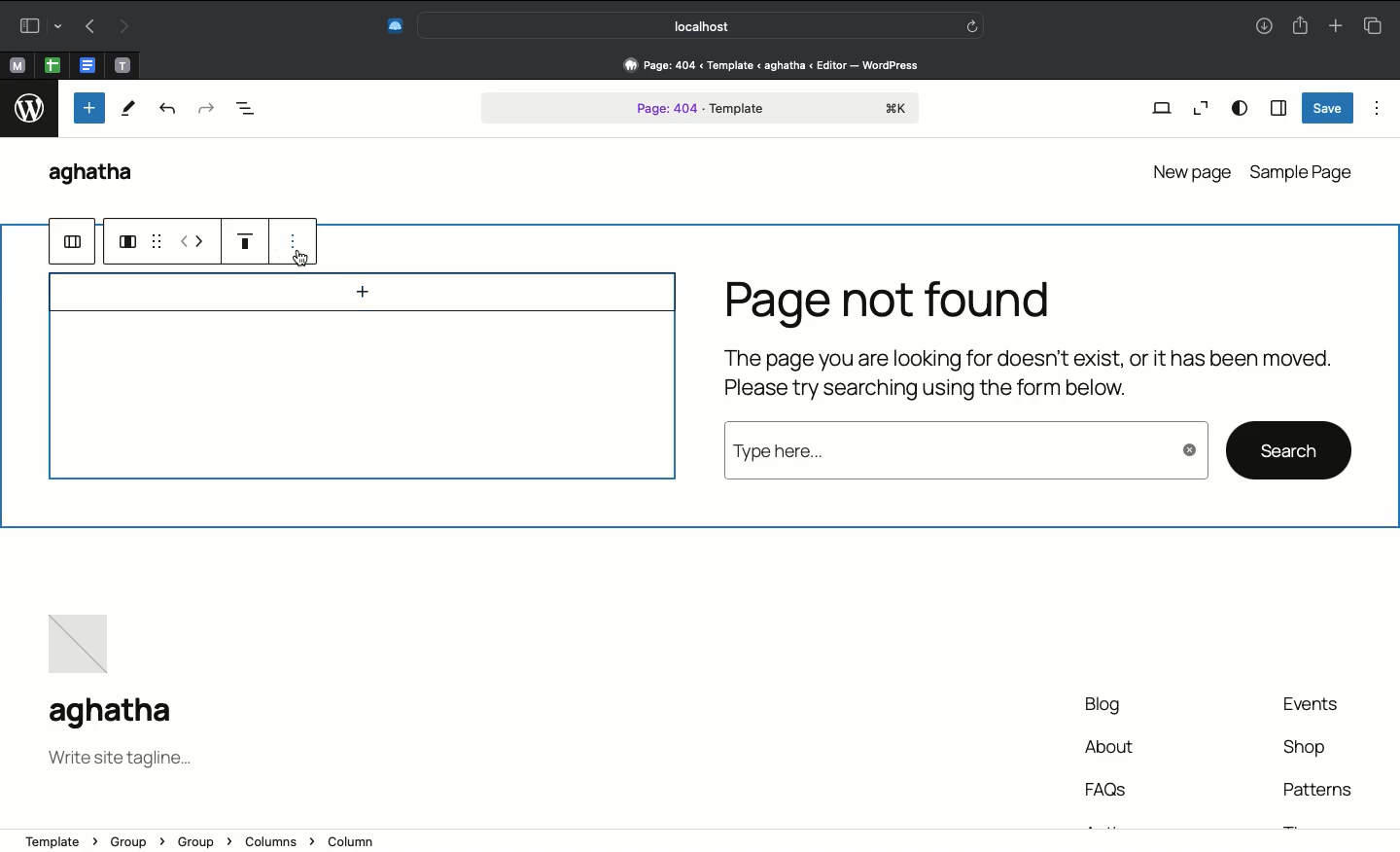 This screenshot has width=1400, height=852. Describe the element at coordinates (114, 710) in the screenshot. I see `Name` at that location.